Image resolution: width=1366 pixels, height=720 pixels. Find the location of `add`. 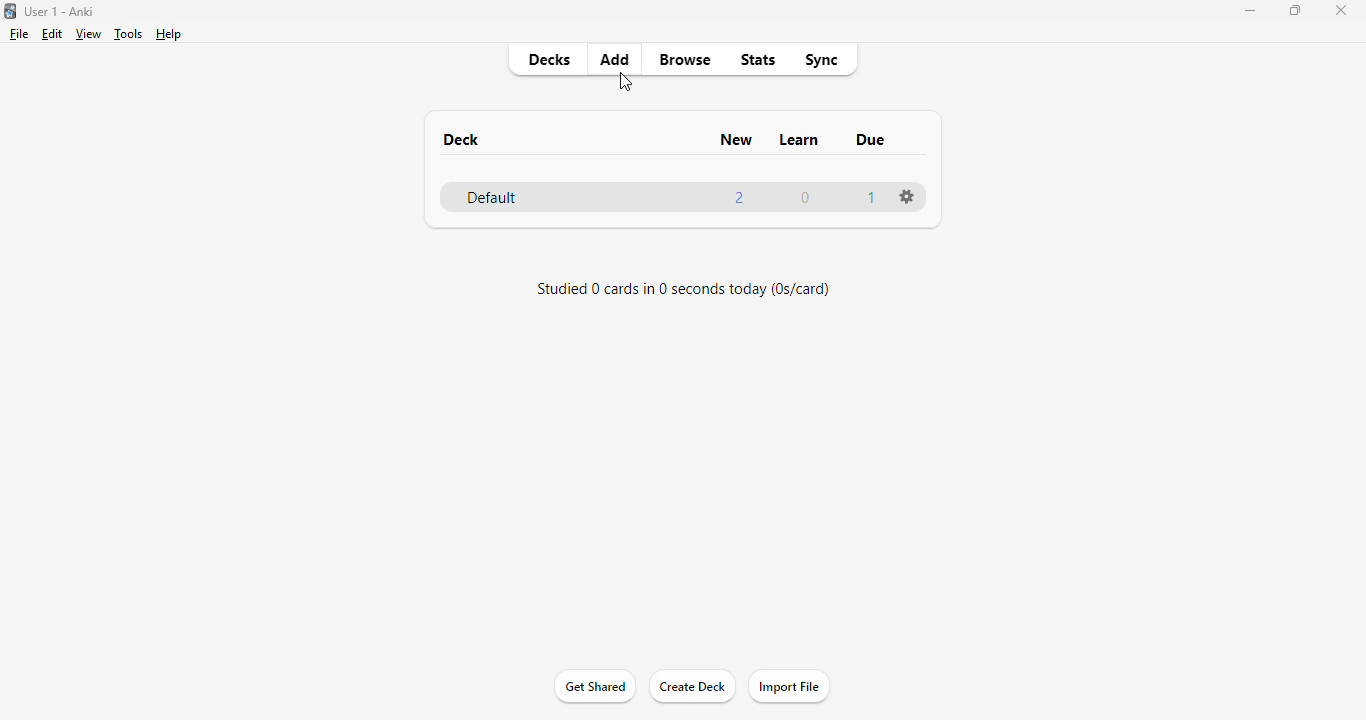

add is located at coordinates (615, 59).